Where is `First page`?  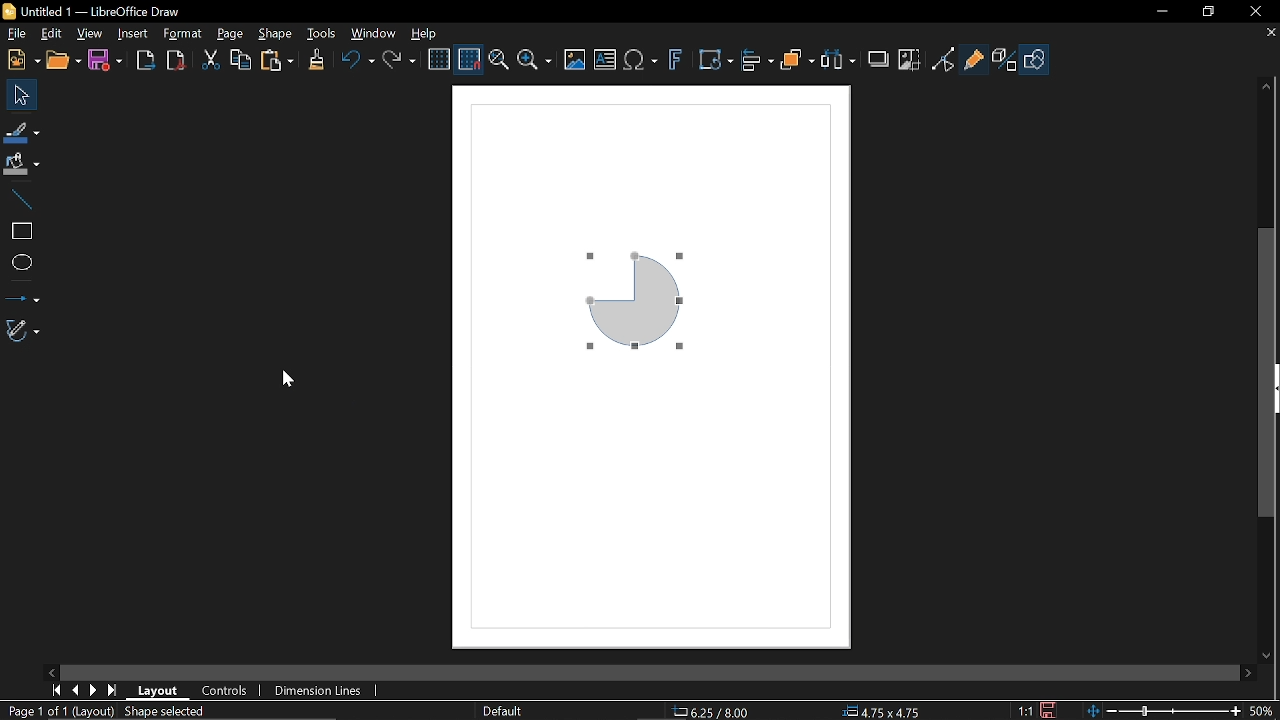 First page is located at coordinates (53, 689).